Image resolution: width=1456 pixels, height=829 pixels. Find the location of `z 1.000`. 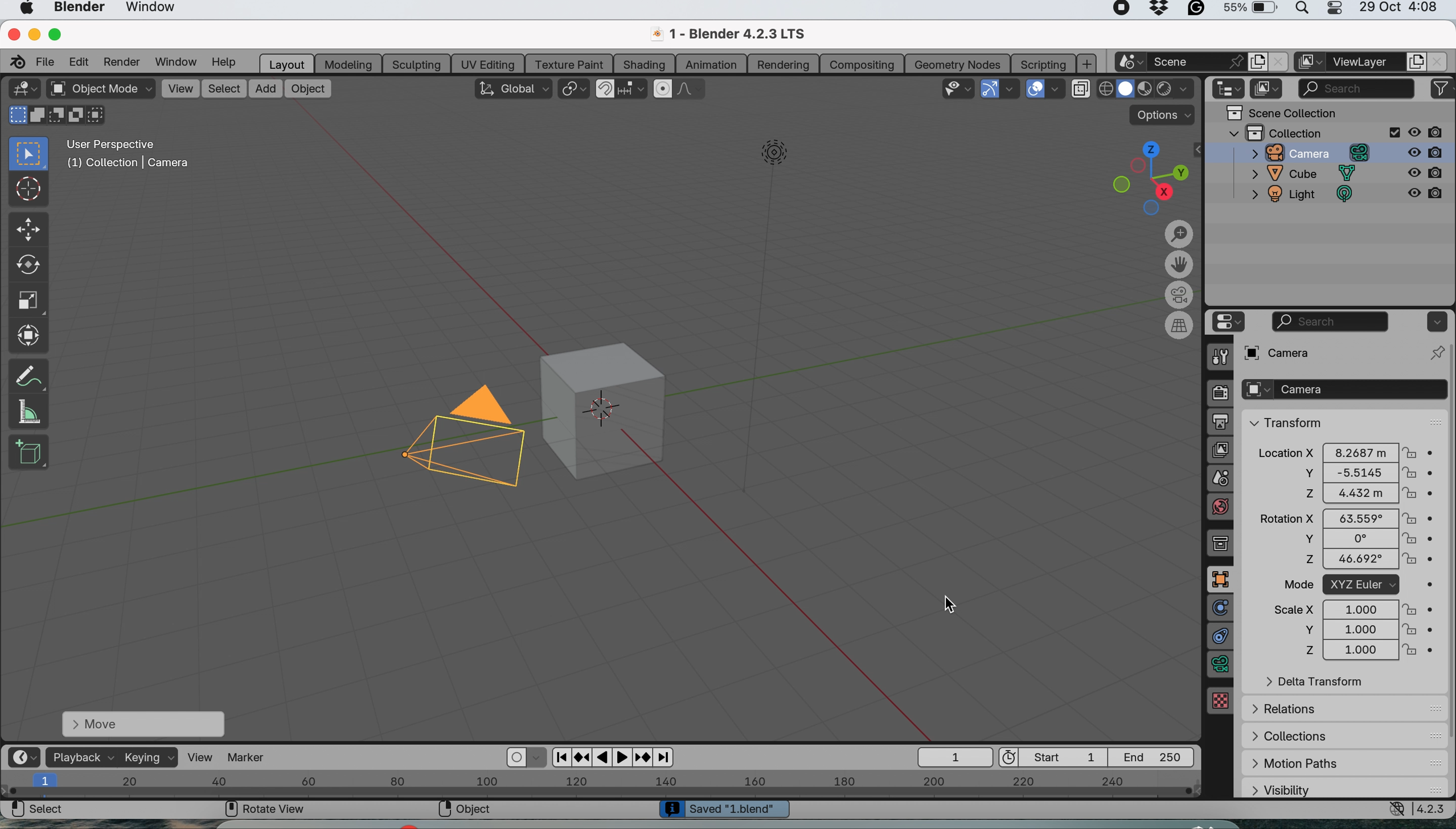

z 1.000 is located at coordinates (1355, 651).